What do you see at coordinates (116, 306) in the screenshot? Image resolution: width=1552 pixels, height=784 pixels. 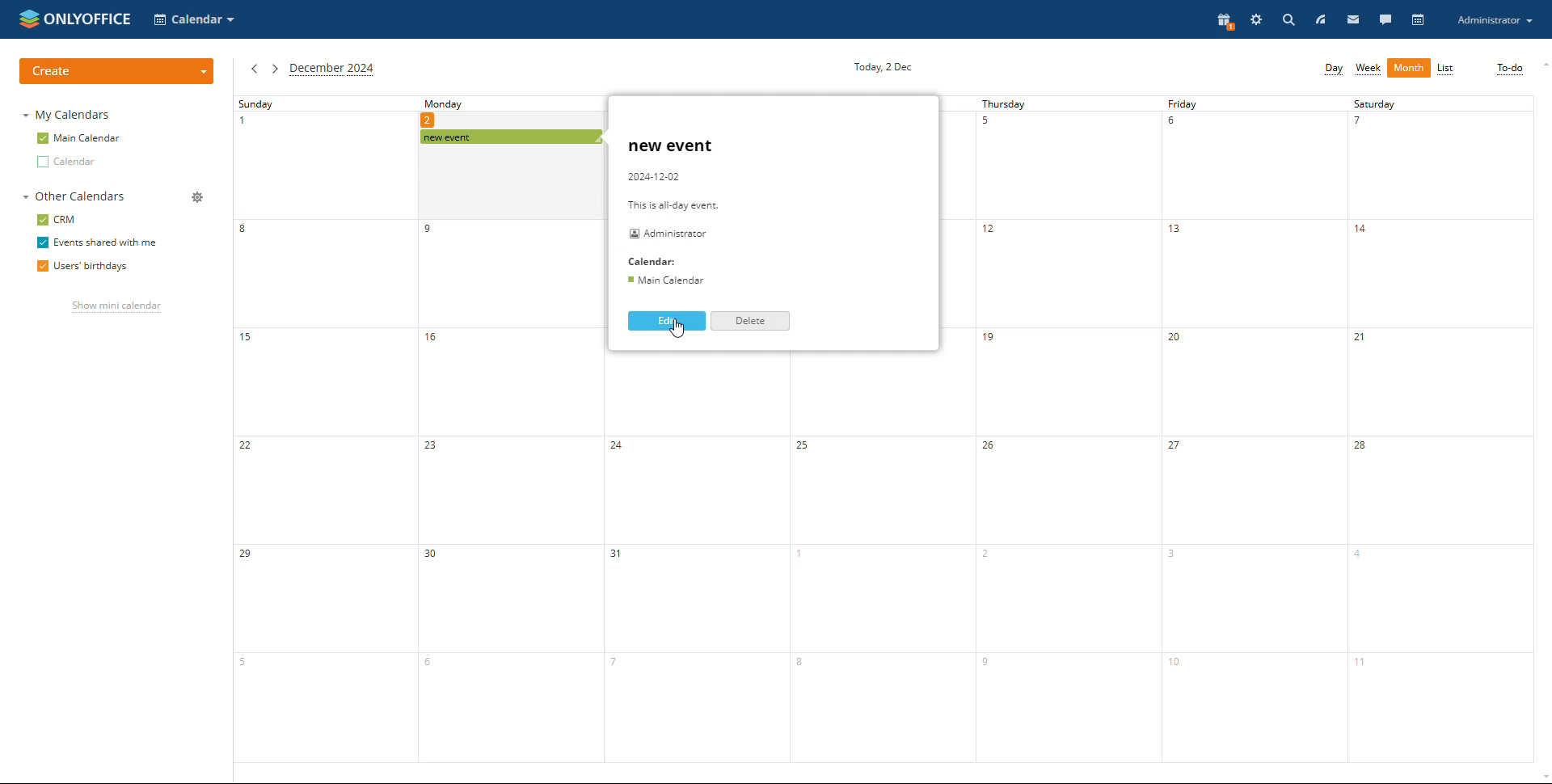 I see `show mini calendar` at bounding box center [116, 306].